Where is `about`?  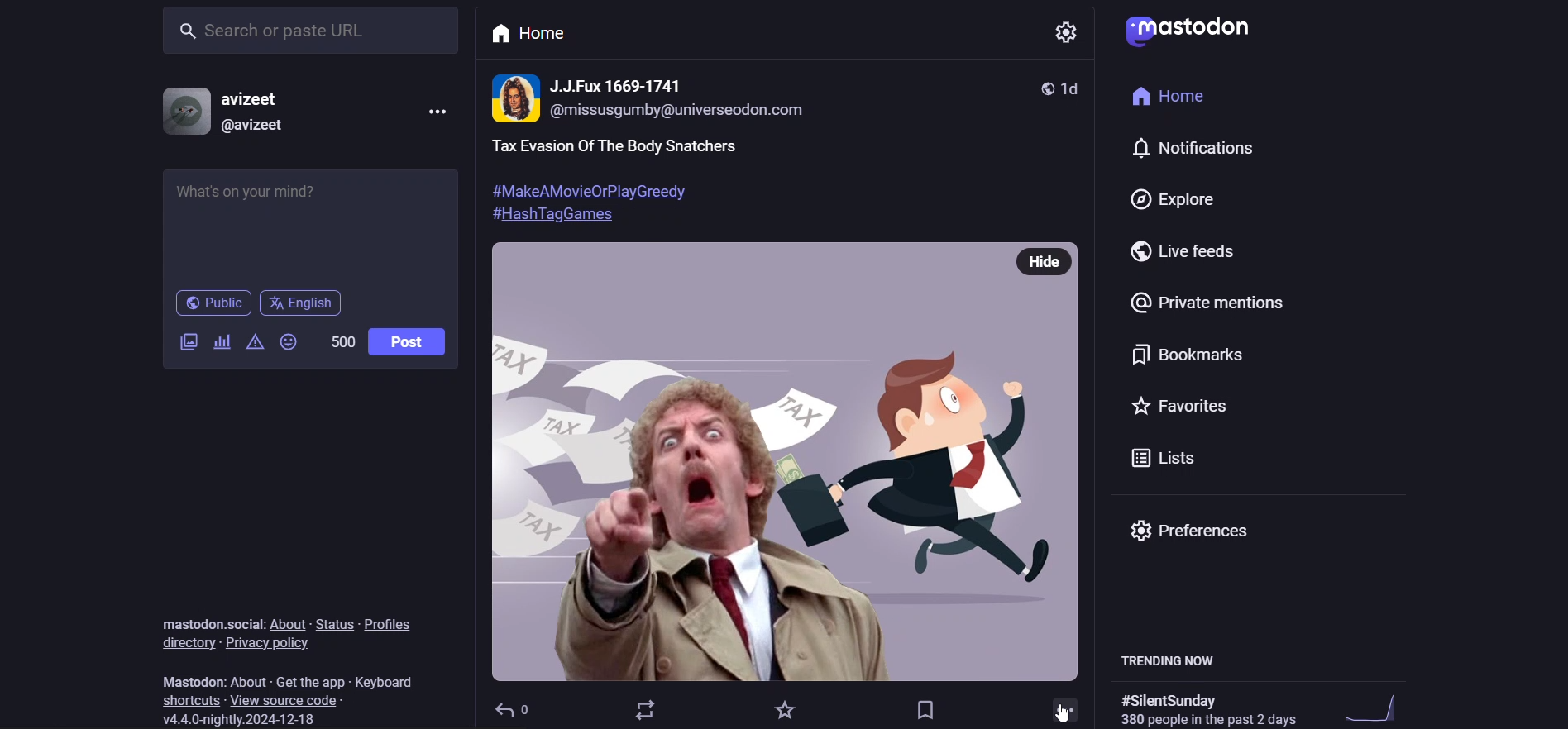 about is located at coordinates (253, 680).